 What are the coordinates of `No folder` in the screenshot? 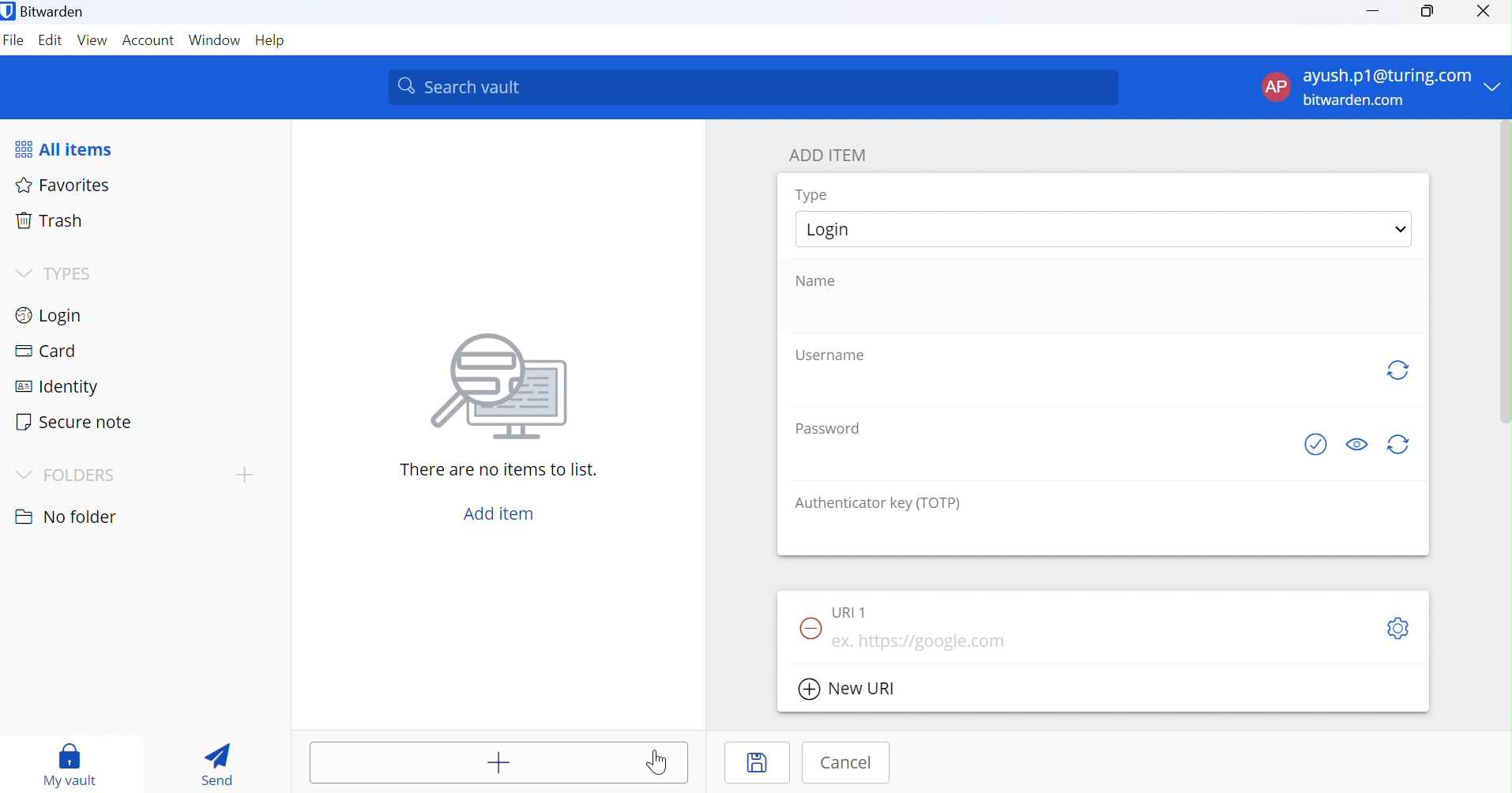 It's located at (65, 513).